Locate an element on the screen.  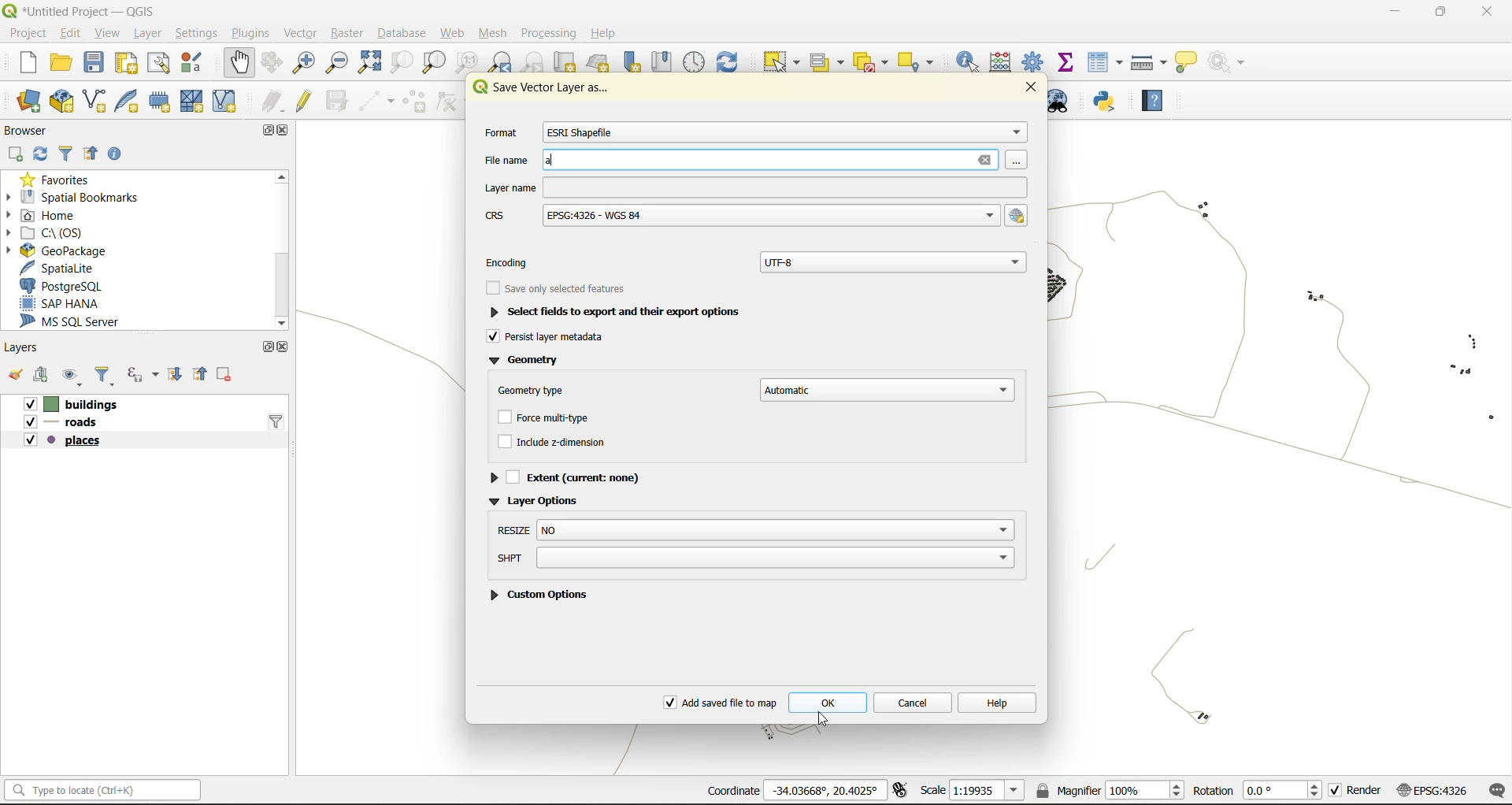
maximize is located at coordinates (270, 133).